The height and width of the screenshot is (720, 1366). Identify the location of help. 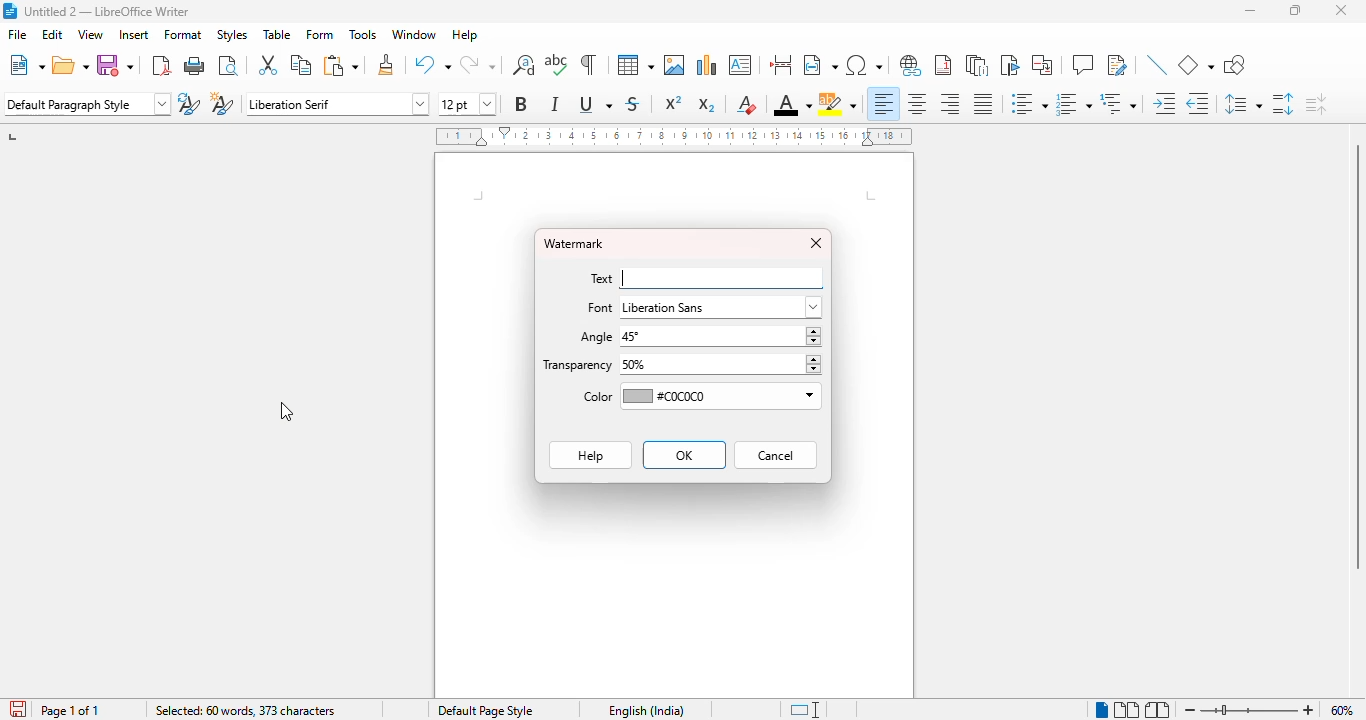
(465, 35).